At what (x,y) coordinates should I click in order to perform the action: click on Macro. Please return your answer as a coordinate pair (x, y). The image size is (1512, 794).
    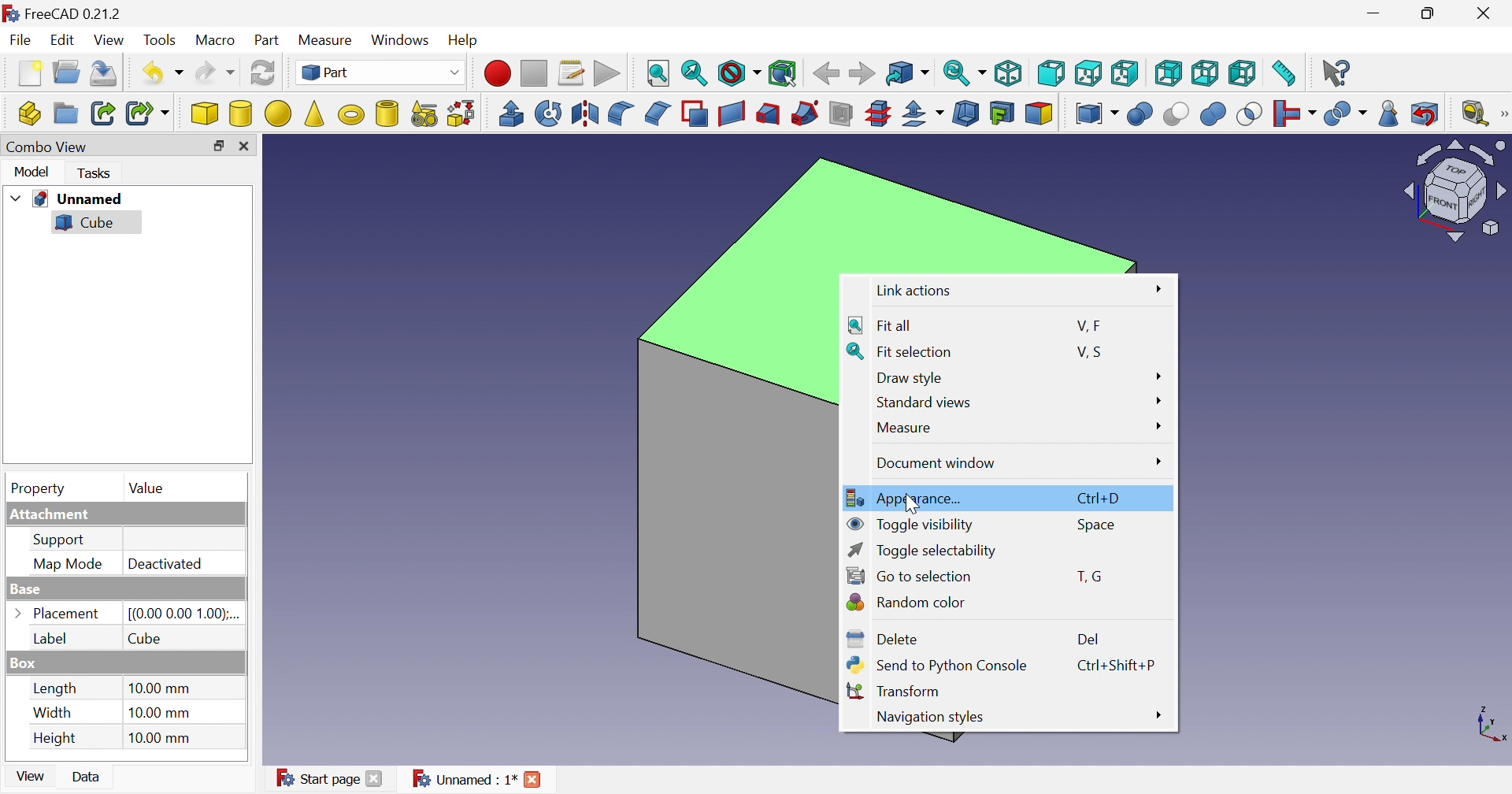
    Looking at the image, I should click on (216, 40).